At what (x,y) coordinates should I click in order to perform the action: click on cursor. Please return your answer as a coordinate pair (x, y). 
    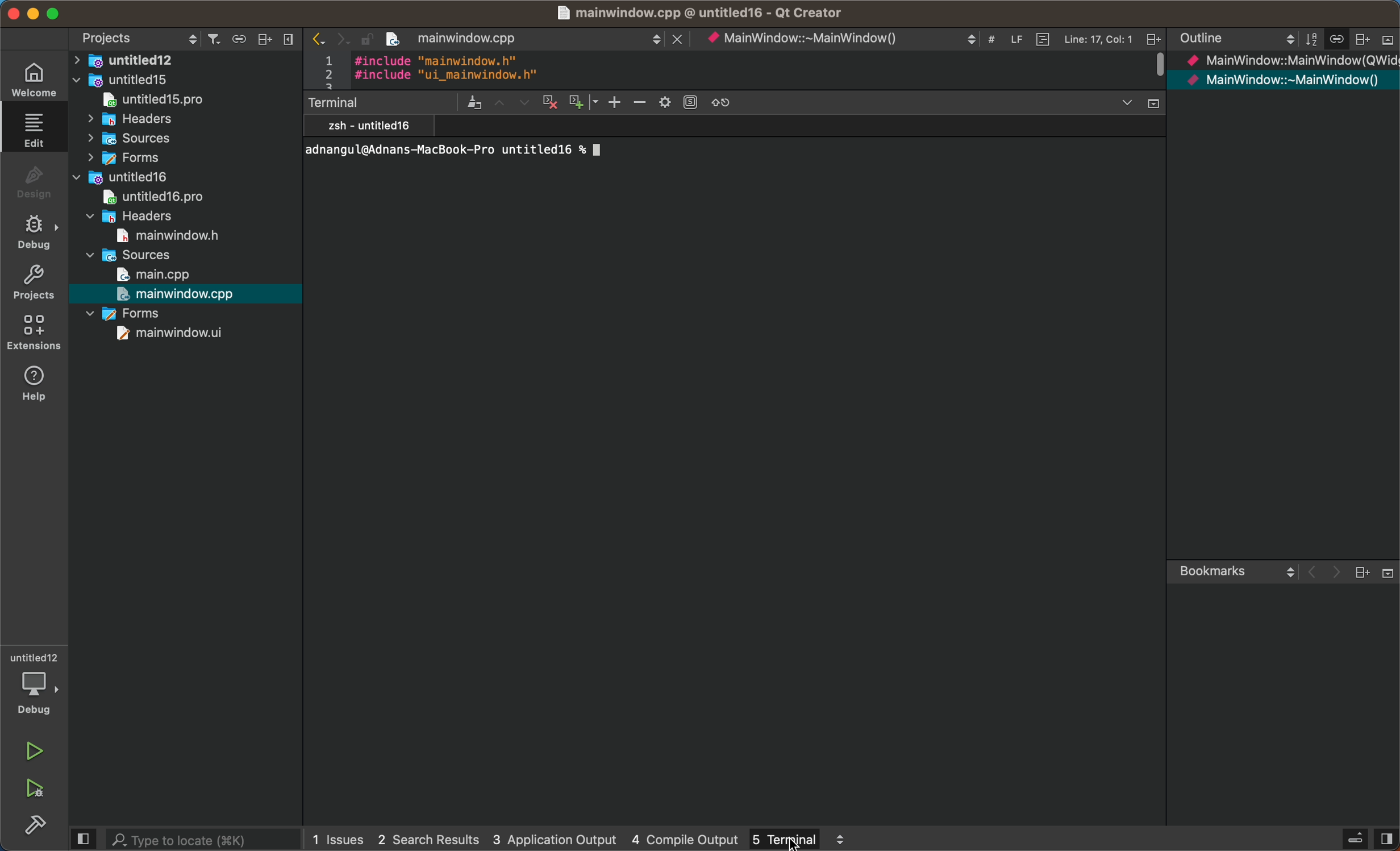
    Looking at the image, I should click on (797, 842).